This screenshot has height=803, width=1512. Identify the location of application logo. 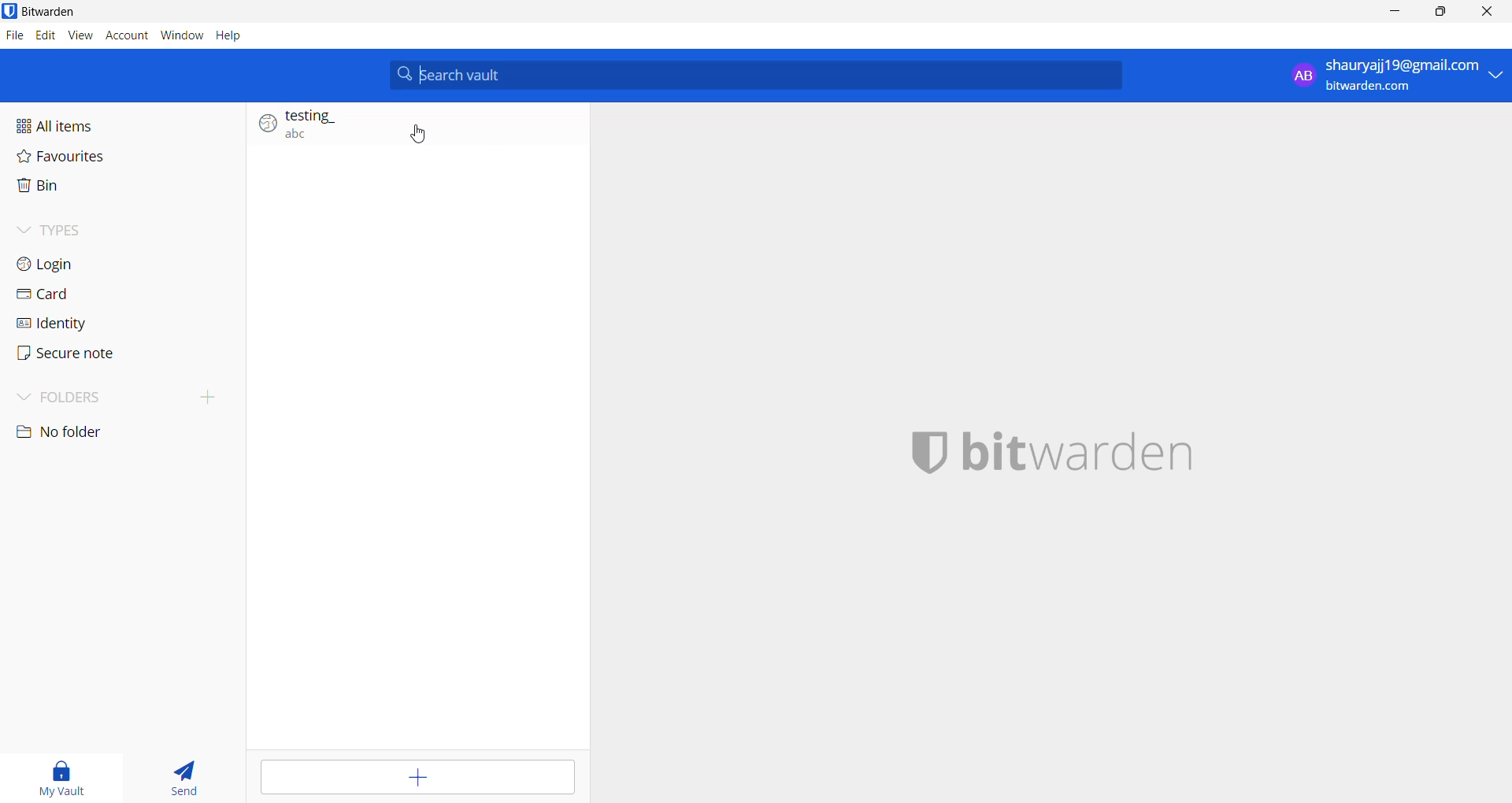
(9, 11).